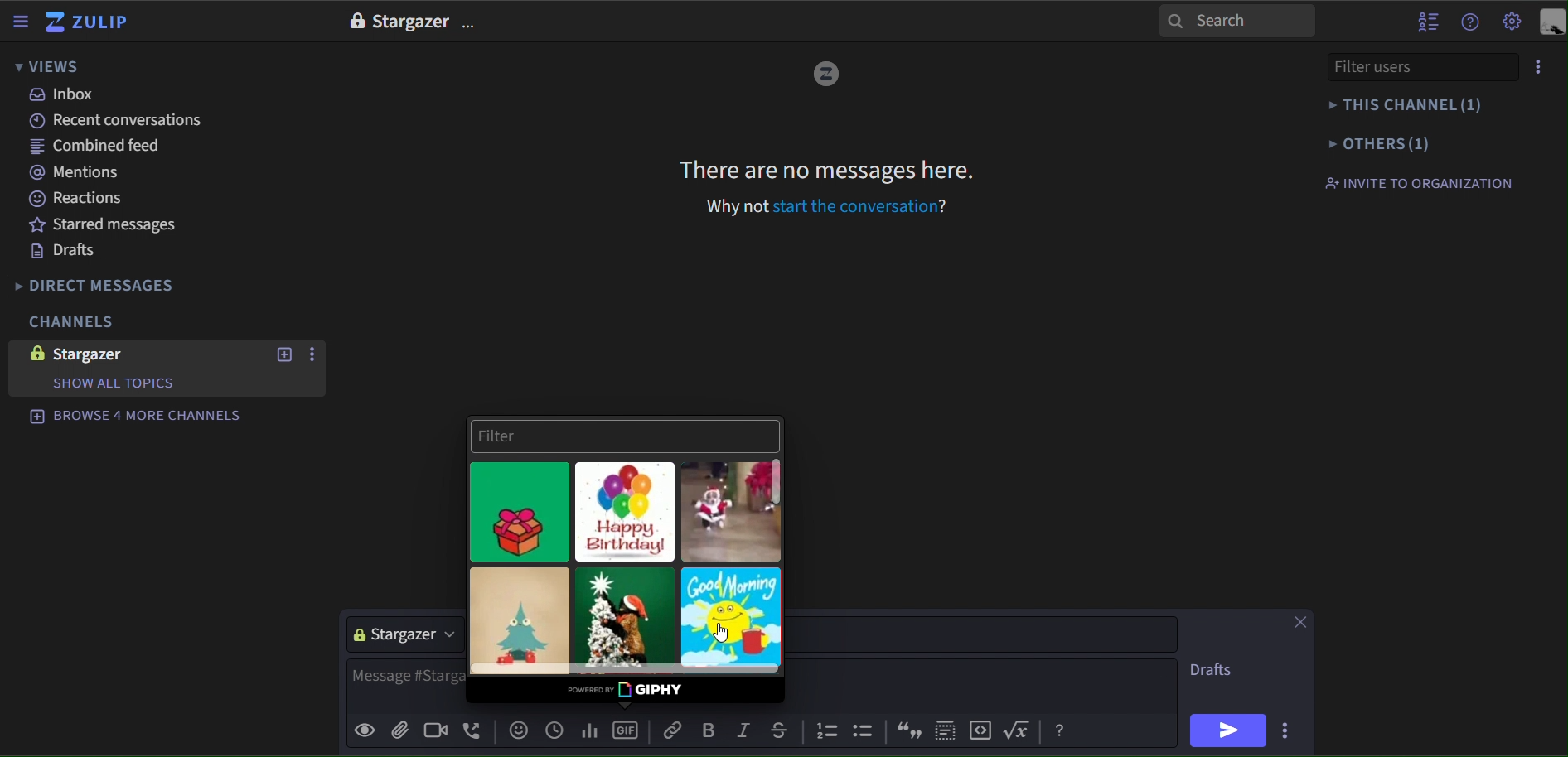 The height and width of the screenshot is (757, 1568). I want to click on gif, so click(627, 727).